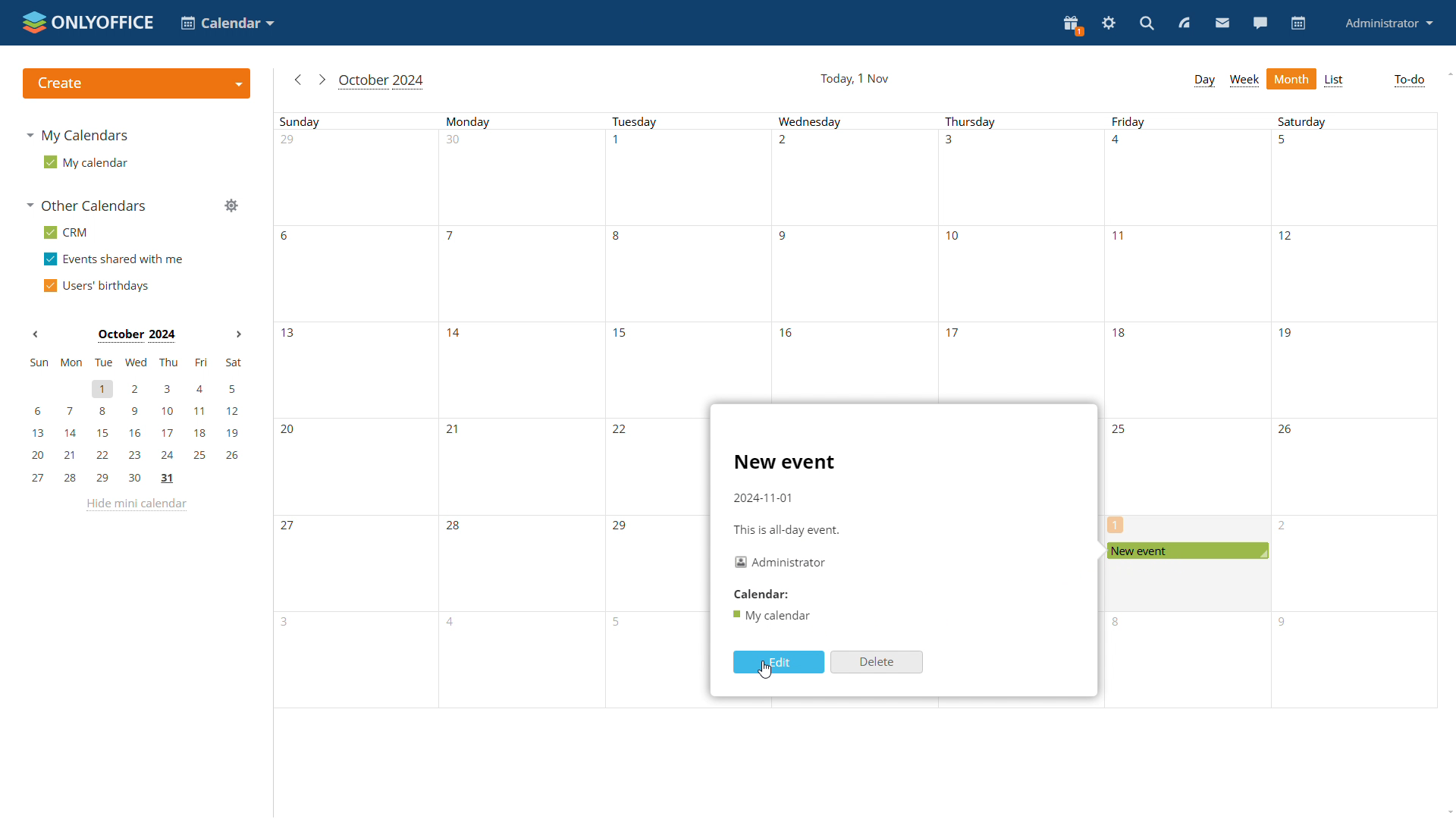 The height and width of the screenshot is (819, 1456). I want to click on delete, so click(876, 661).